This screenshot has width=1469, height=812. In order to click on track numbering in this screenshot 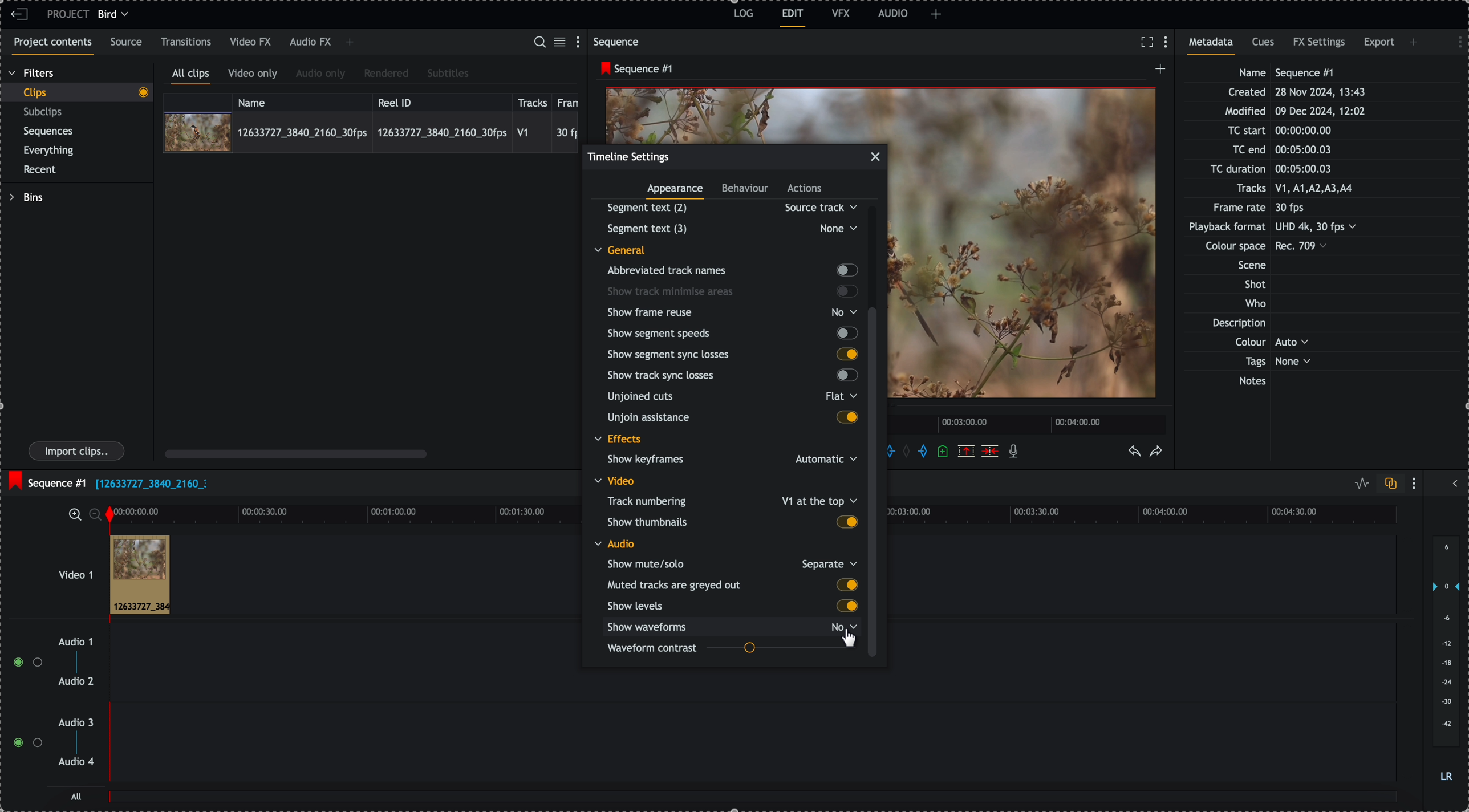, I will do `click(731, 500)`.